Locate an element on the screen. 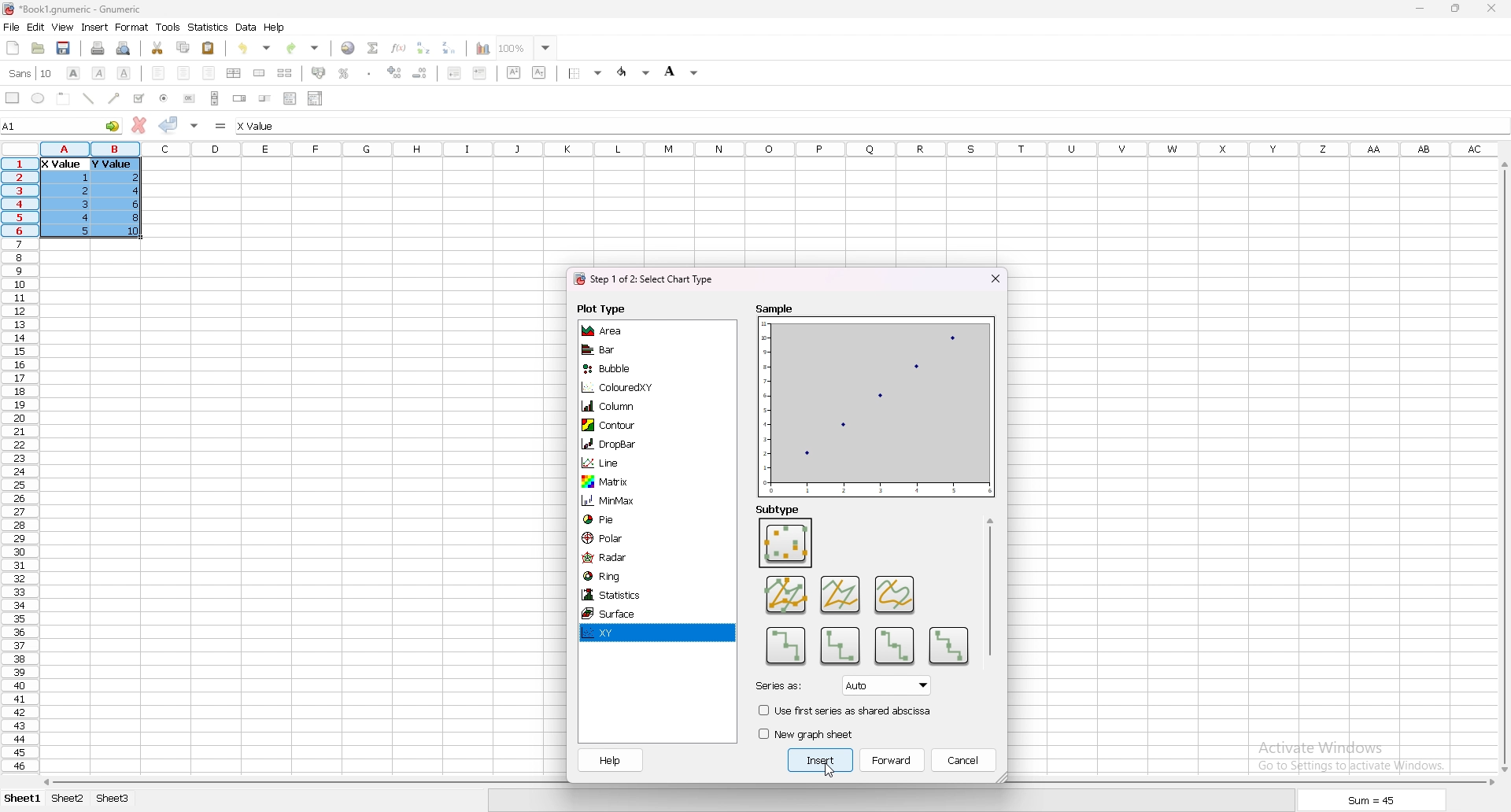 Image resolution: width=1511 pixels, height=812 pixels. plot type is located at coordinates (602, 309).